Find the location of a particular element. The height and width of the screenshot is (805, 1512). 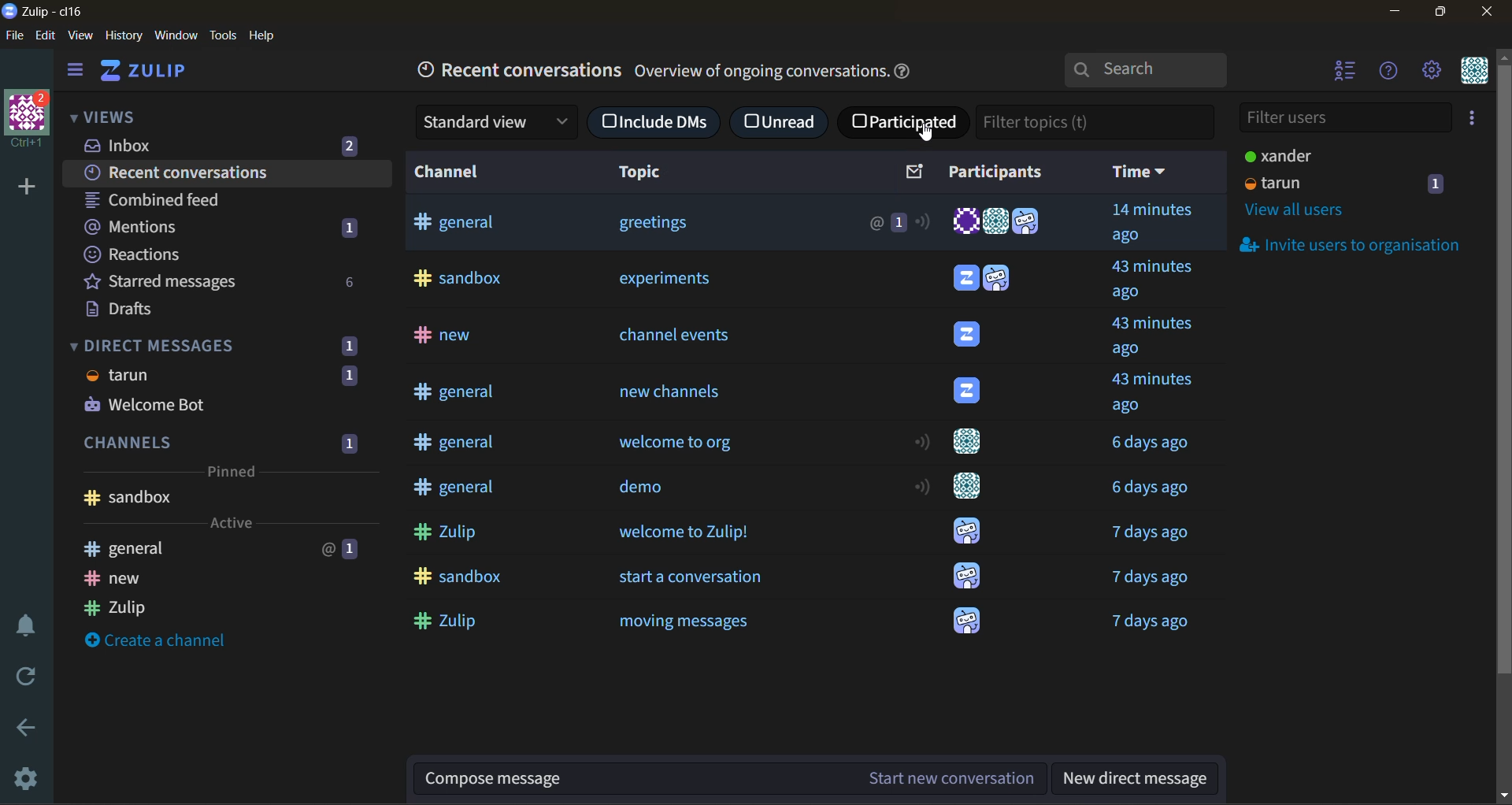

channel events is located at coordinates (685, 335).